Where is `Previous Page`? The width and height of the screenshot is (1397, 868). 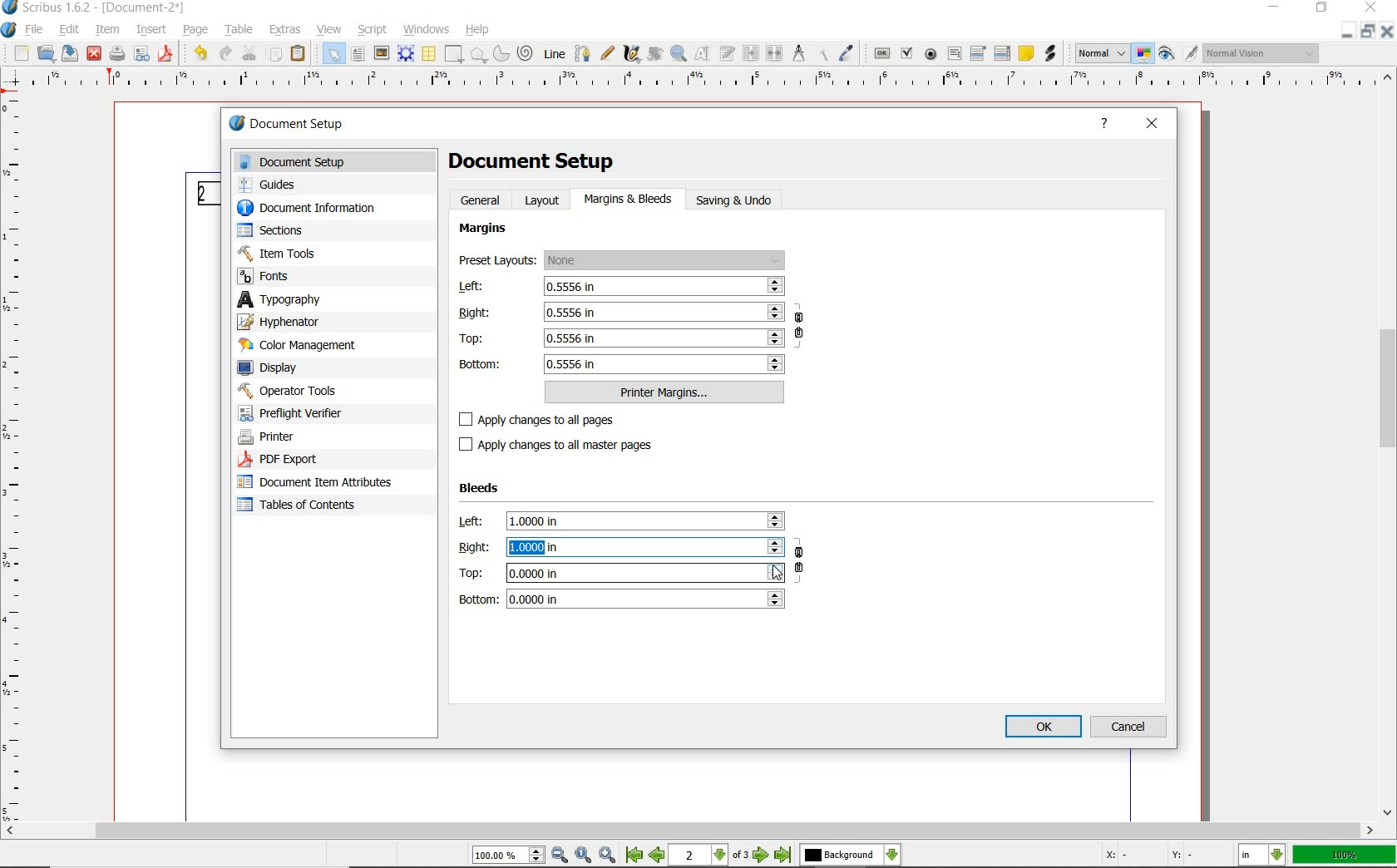
Previous Page is located at coordinates (659, 857).